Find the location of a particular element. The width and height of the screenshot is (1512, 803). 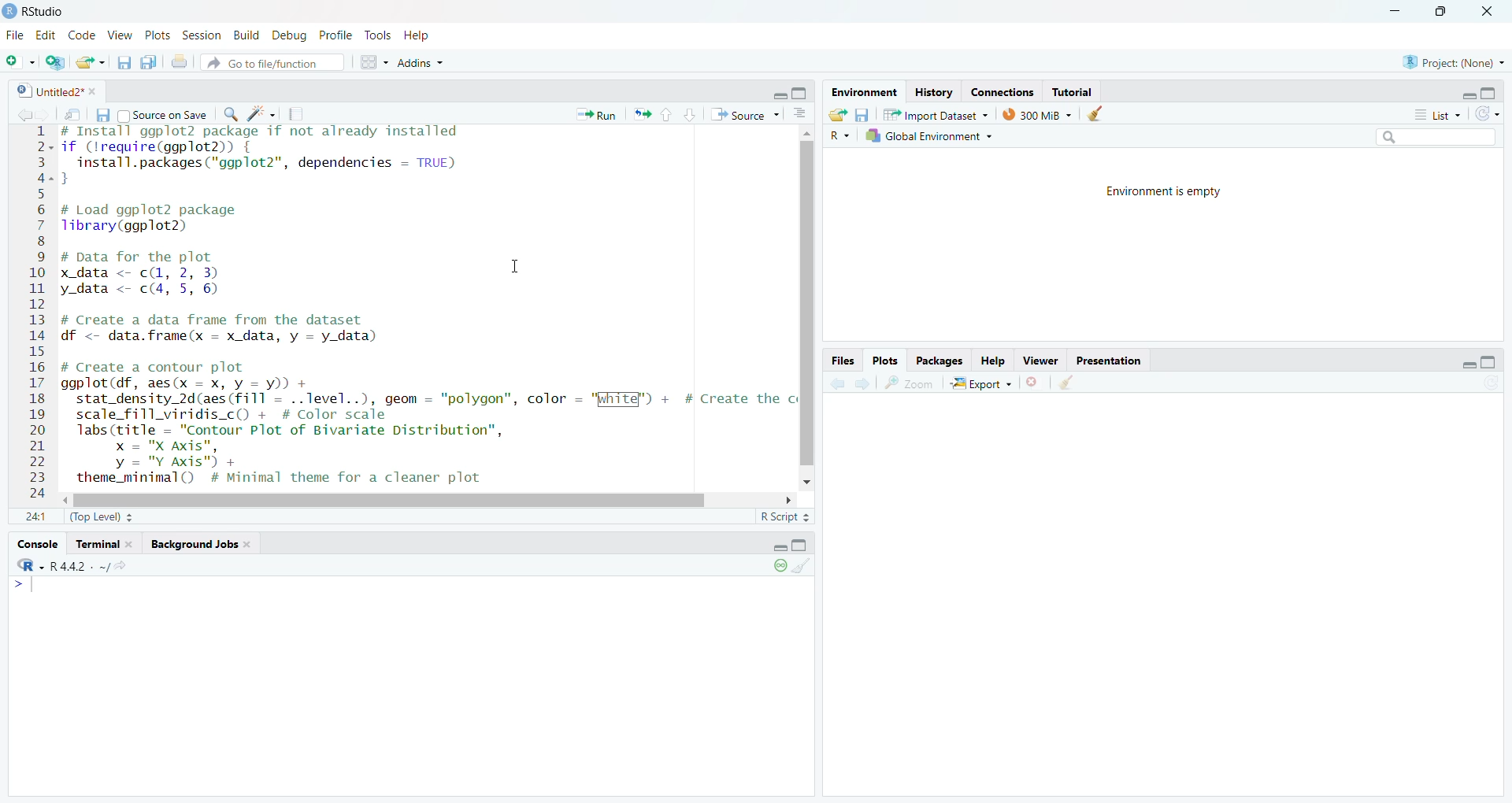

300 MB  is located at coordinates (1039, 114).